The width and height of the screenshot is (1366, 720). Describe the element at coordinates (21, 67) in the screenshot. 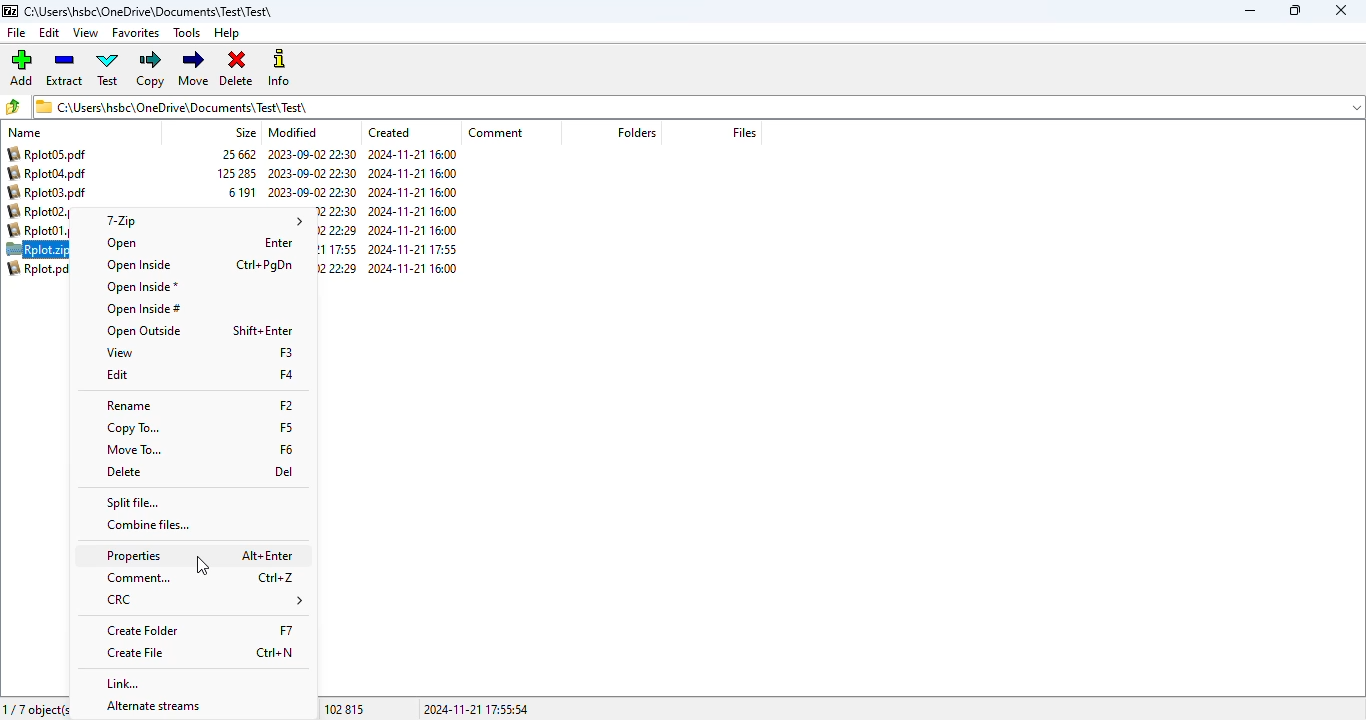

I see `add` at that location.